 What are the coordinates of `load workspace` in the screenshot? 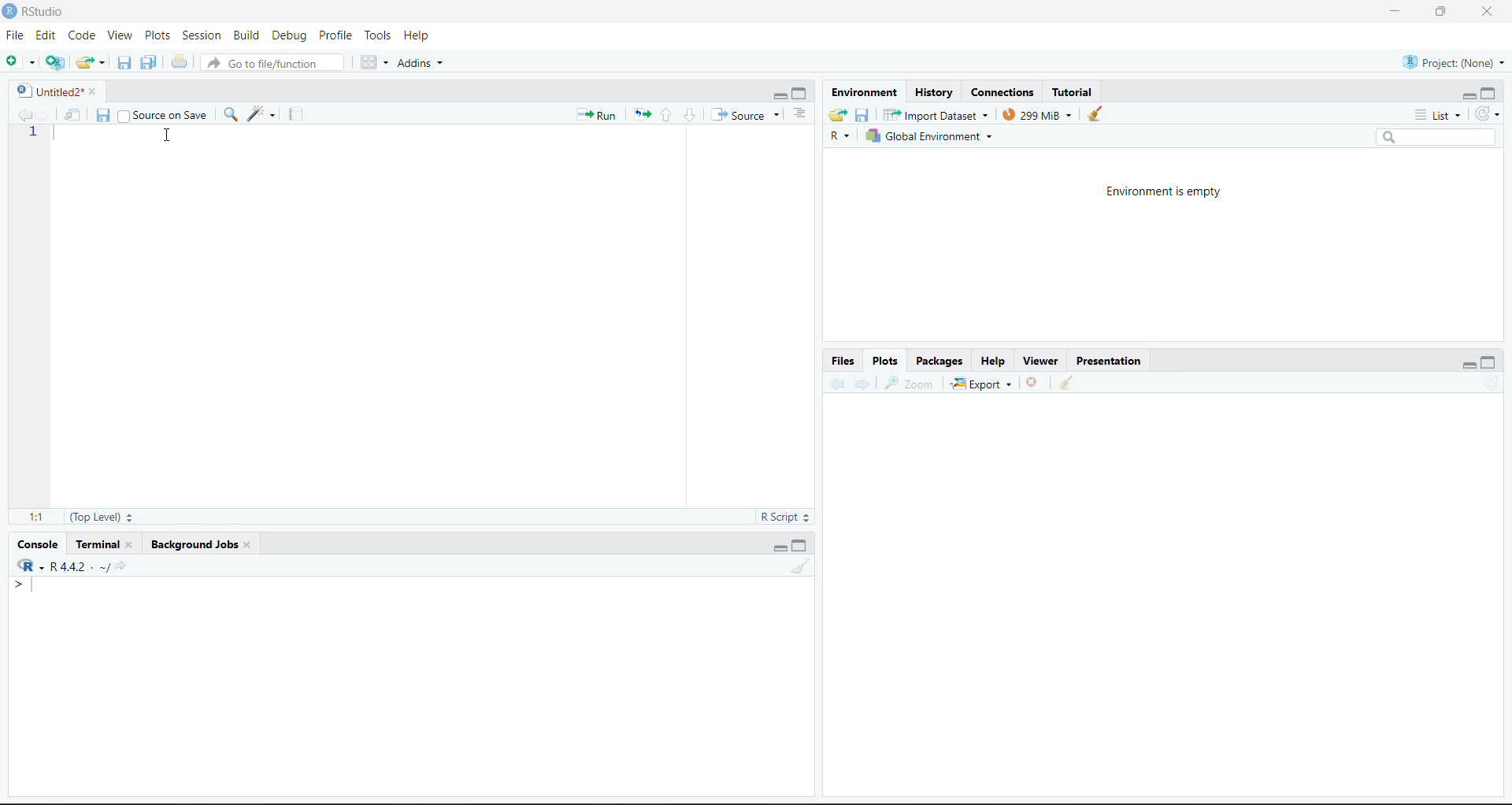 It's located at (839, 115).